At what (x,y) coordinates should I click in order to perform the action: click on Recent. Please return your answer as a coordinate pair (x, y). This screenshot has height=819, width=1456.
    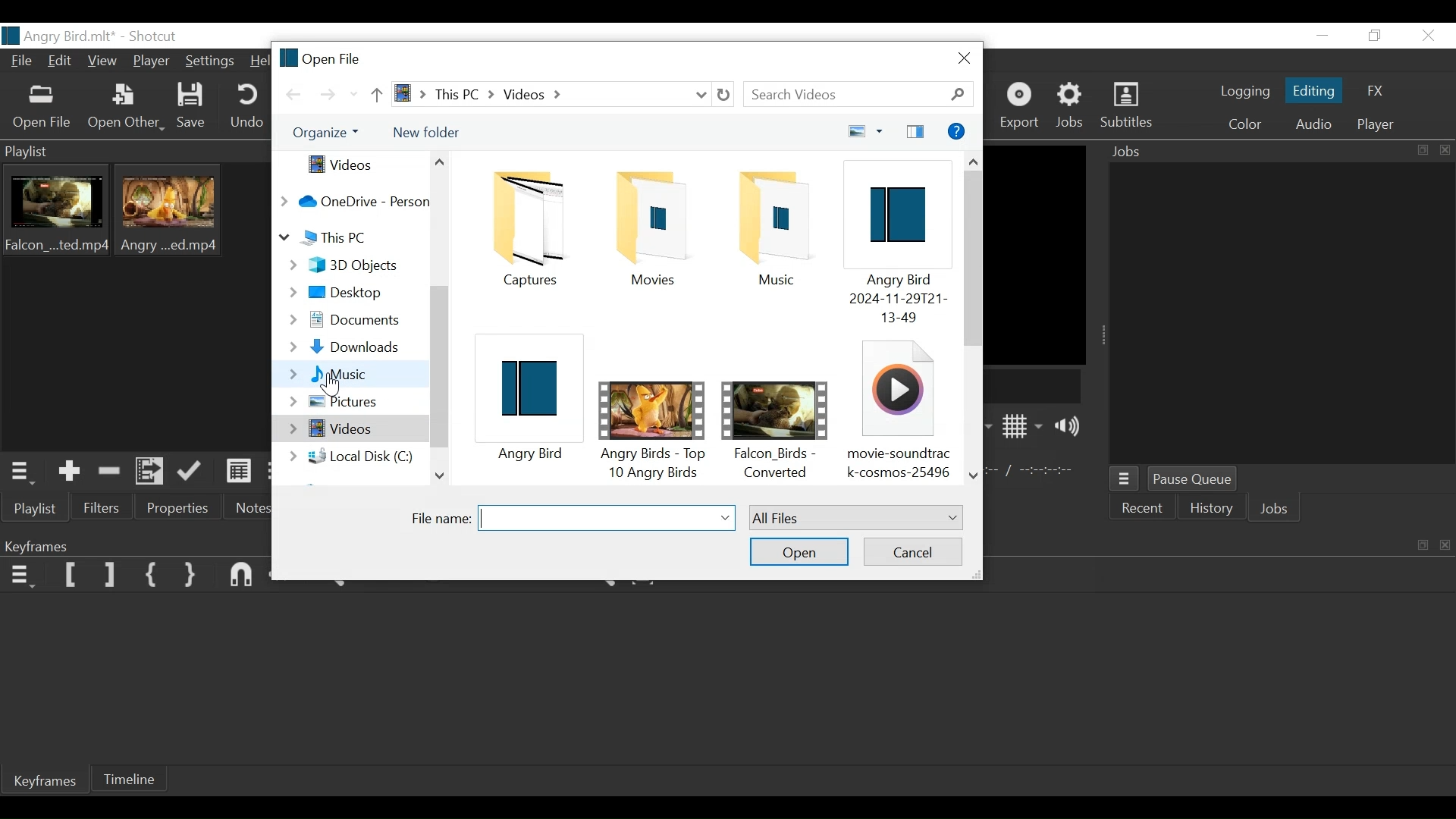
    Looking at the image, I should click on (1144, 510).